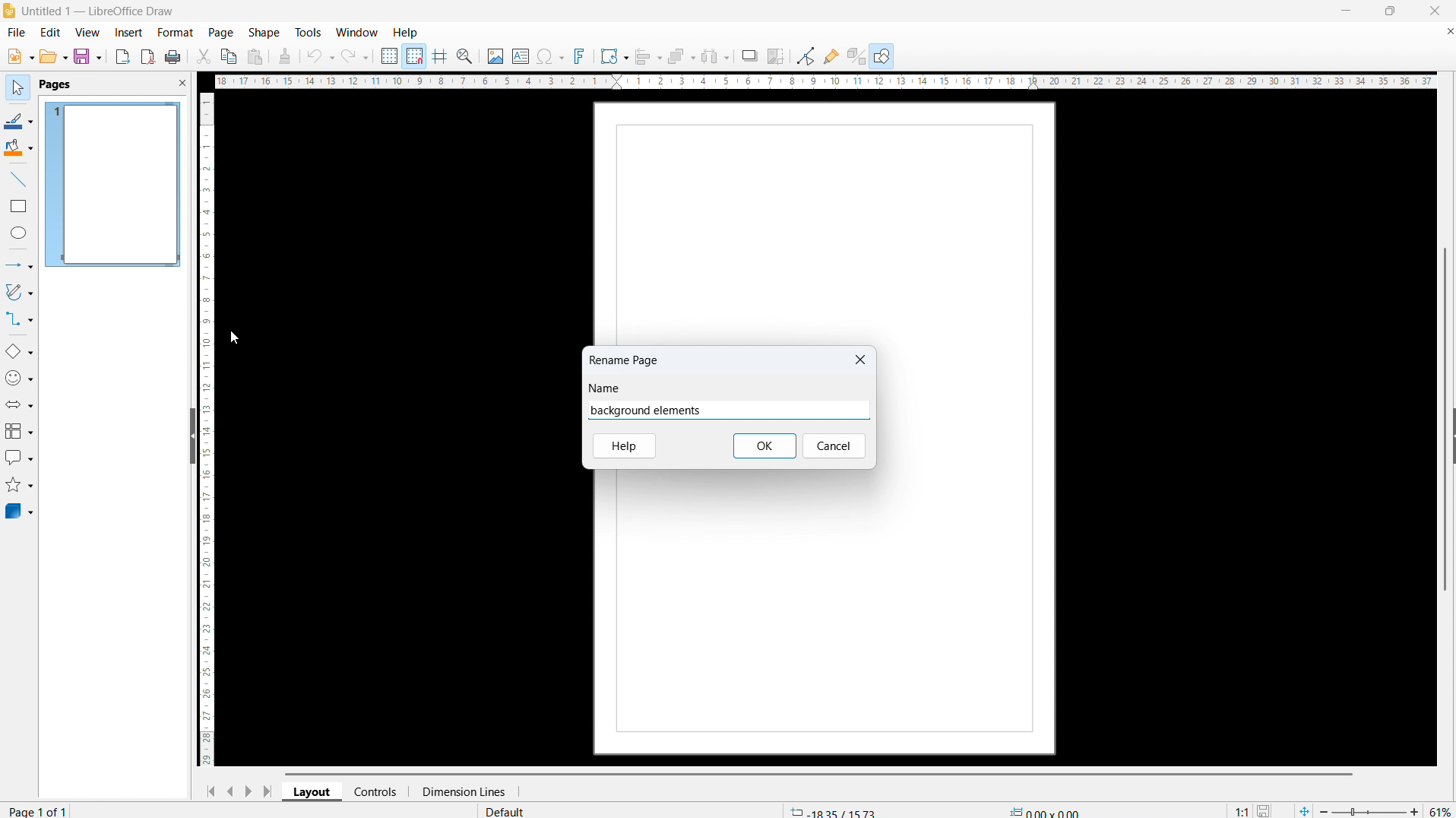 Image resolution: width=1456 pixels, height=818 pixels. I want to click on save, so click(88, 57).